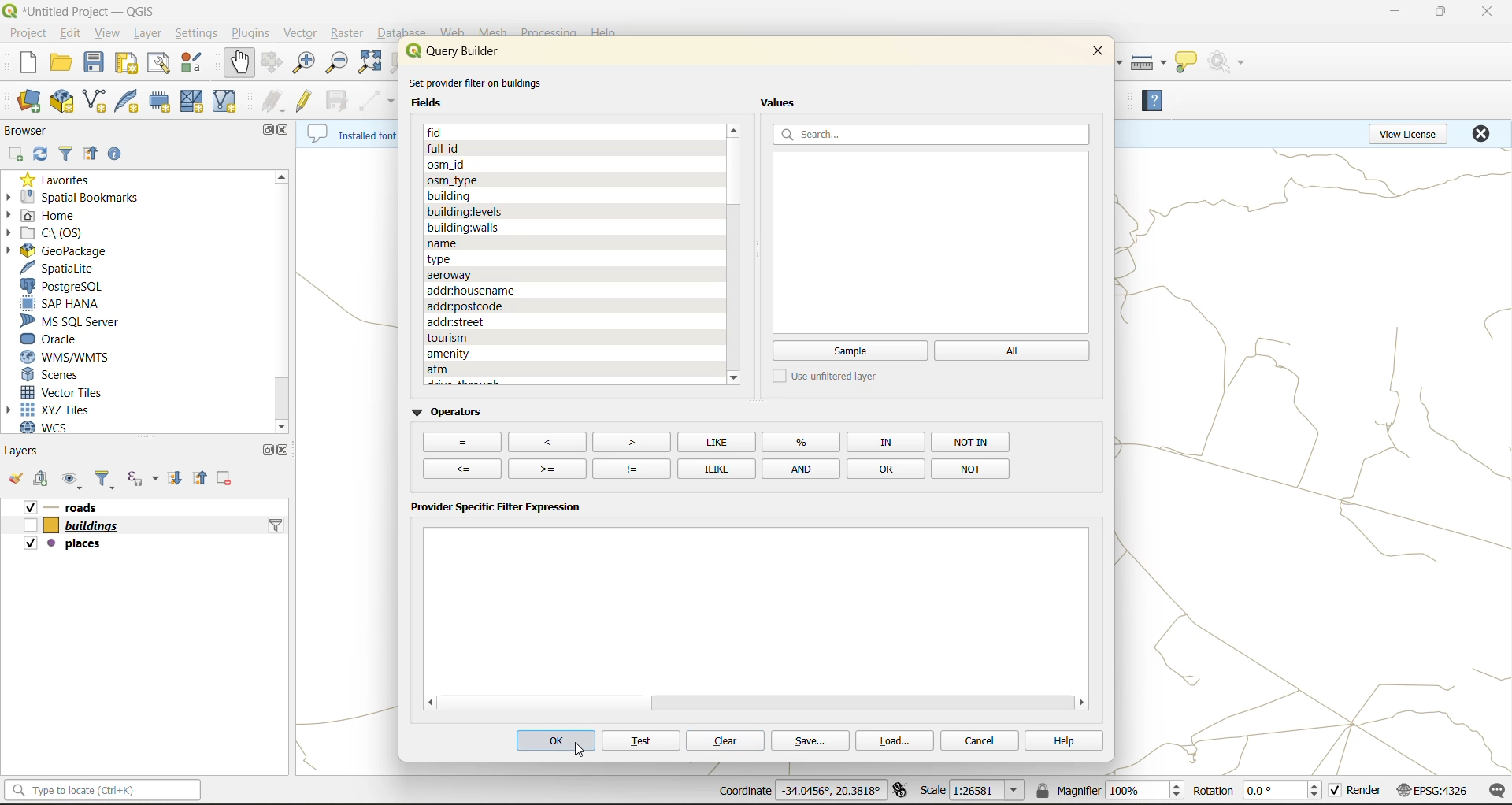 This screenshot has height=805, width=1512. What do you see at coordinates (548, 468) in the screenshot?
I see `opertators` at bounding box center [548, 468].